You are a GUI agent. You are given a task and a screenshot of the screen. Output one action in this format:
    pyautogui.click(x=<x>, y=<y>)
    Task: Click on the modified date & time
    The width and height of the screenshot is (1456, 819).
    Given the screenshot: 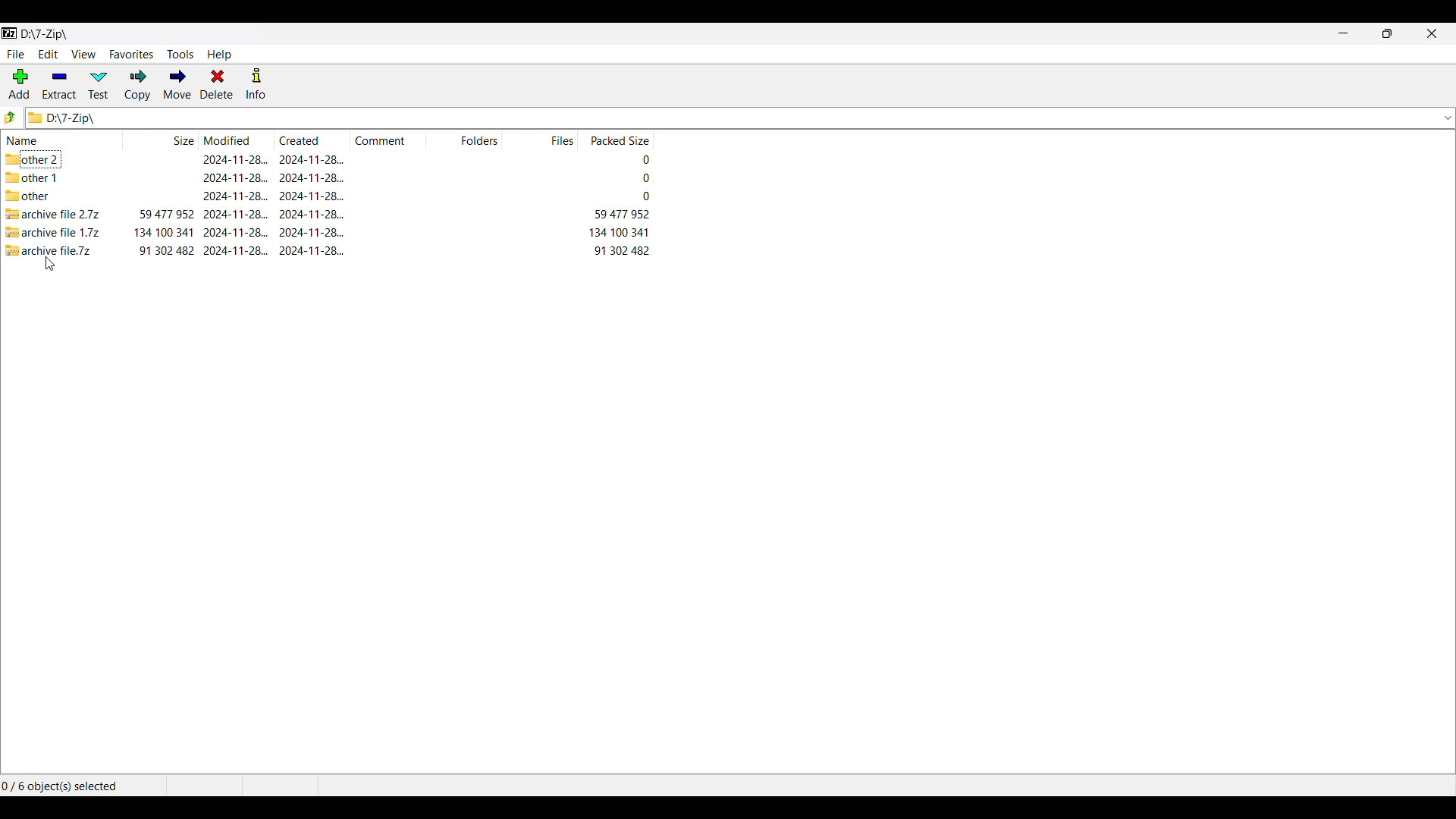 What is the action you would take?
    pyautogui.click(x=235, y=196)
    